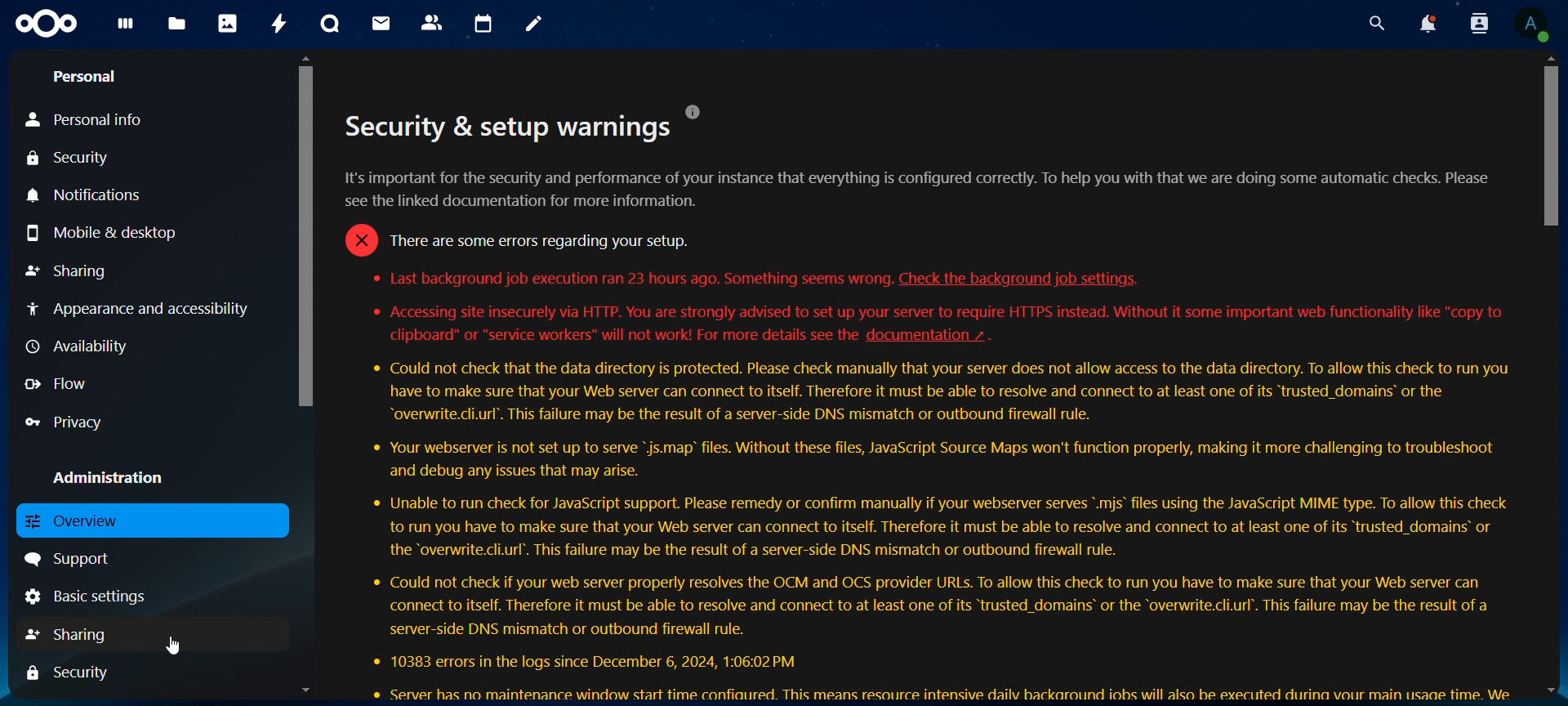 The height and width of the screenshot is (706, 1568). I want to click on flow, so click(60, 383).